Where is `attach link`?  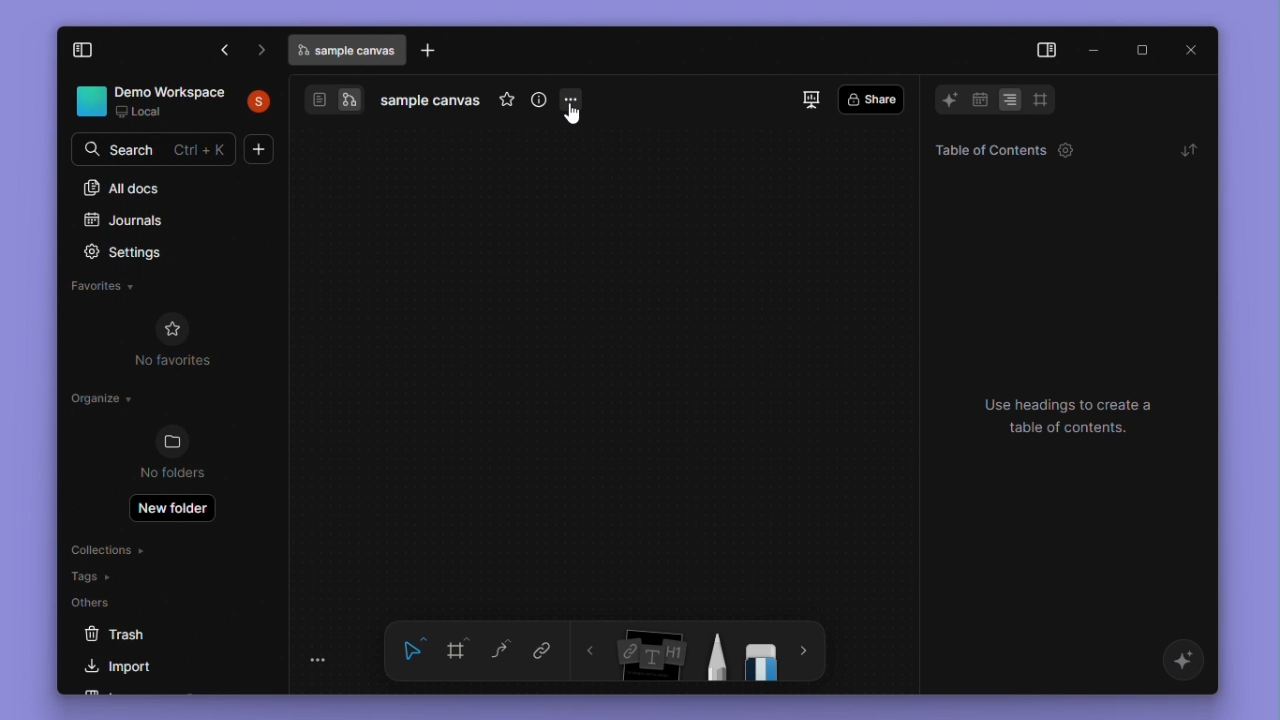 attach link is located at coordinates (540, 650).